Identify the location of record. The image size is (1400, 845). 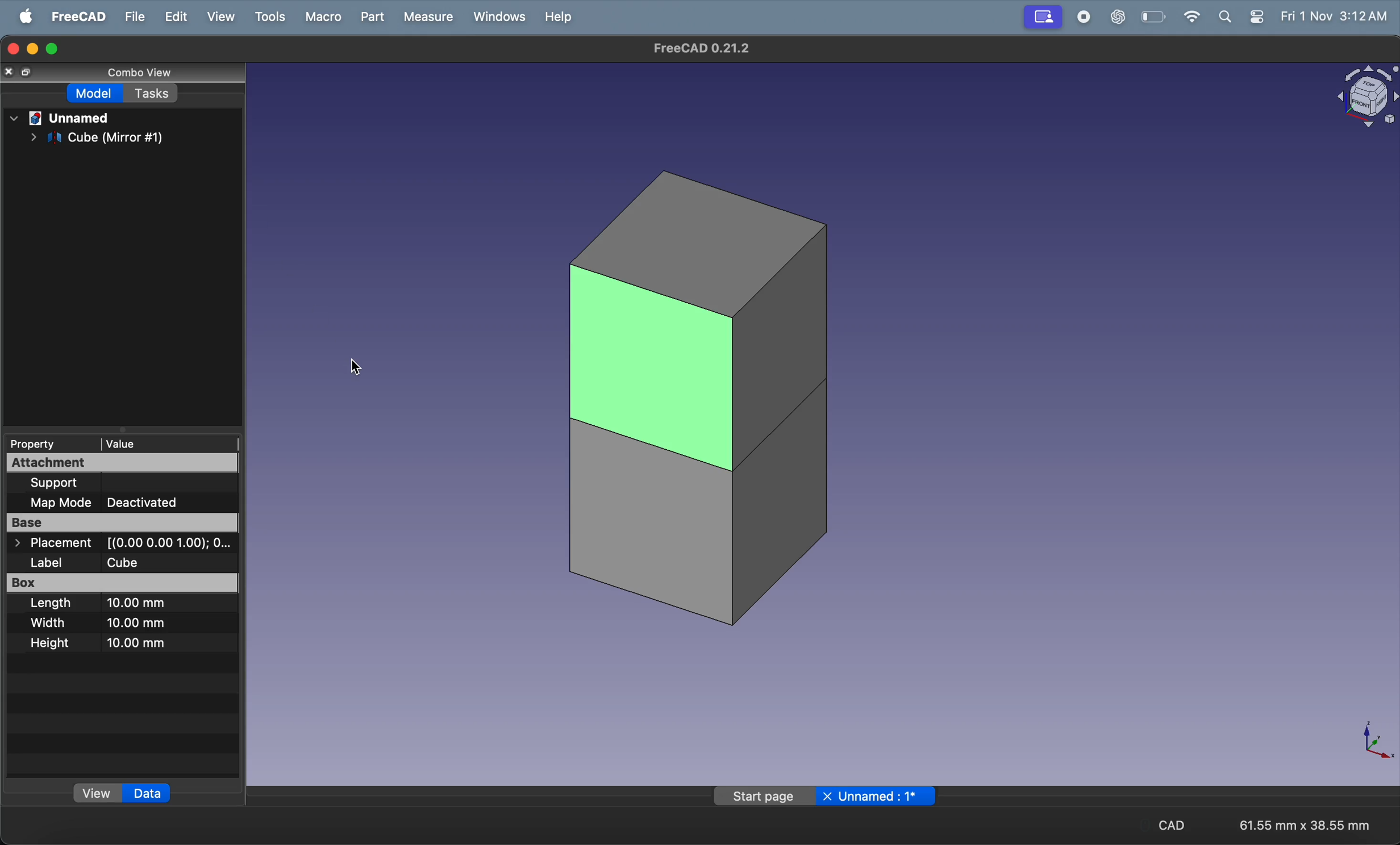
(1085, 16).